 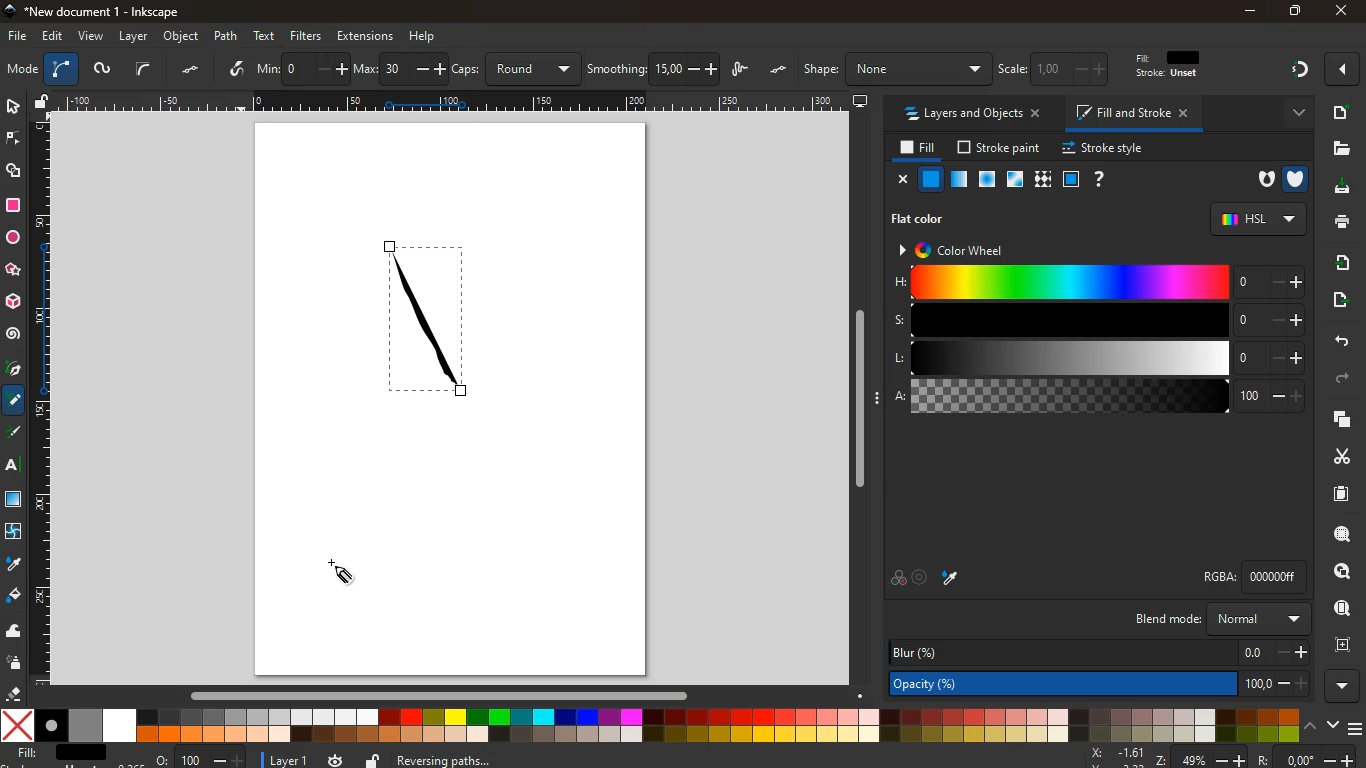 I want to click on wave, so click(x=14, y=632).